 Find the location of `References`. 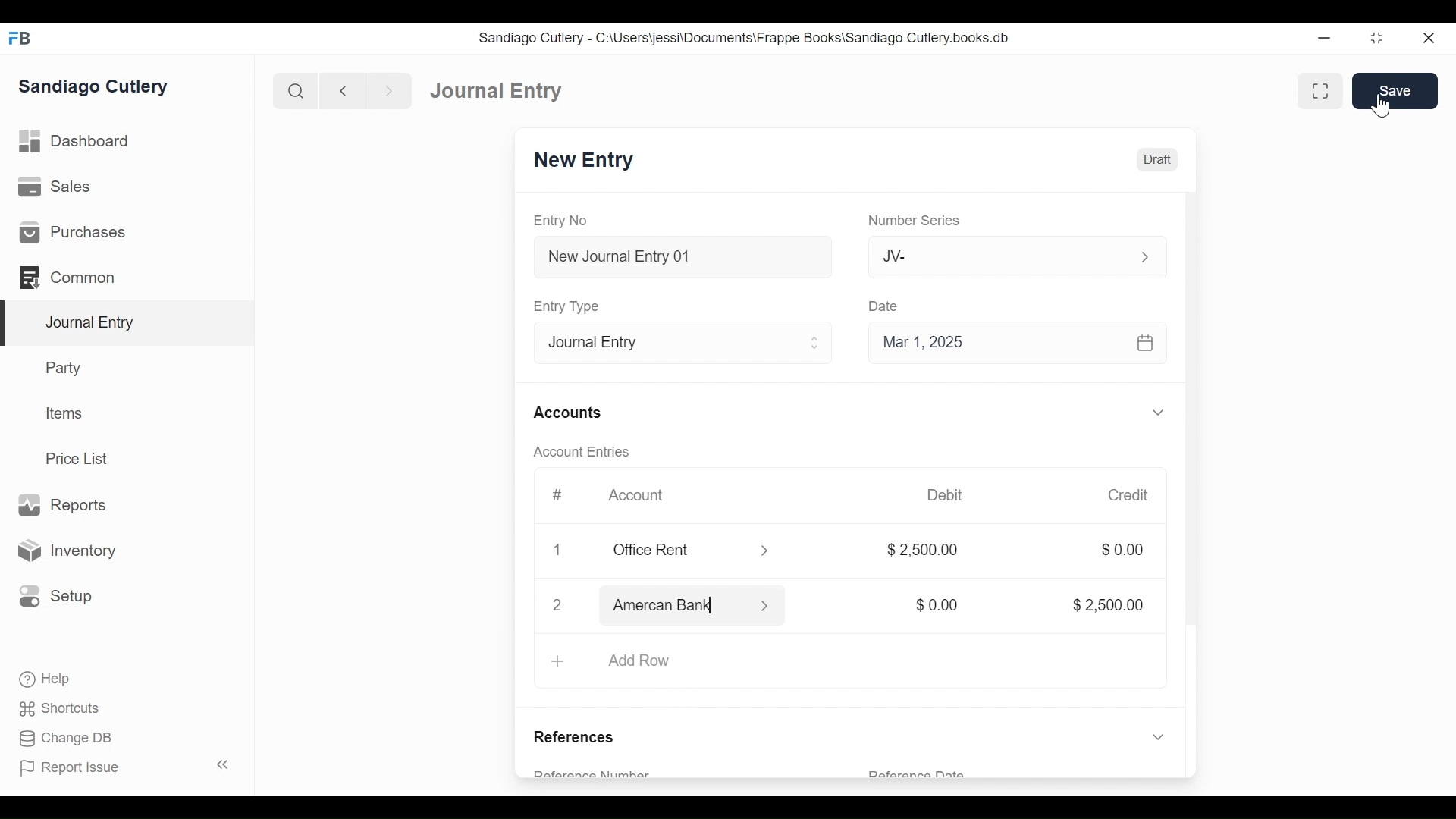

References is located at coordinates (580, 733).